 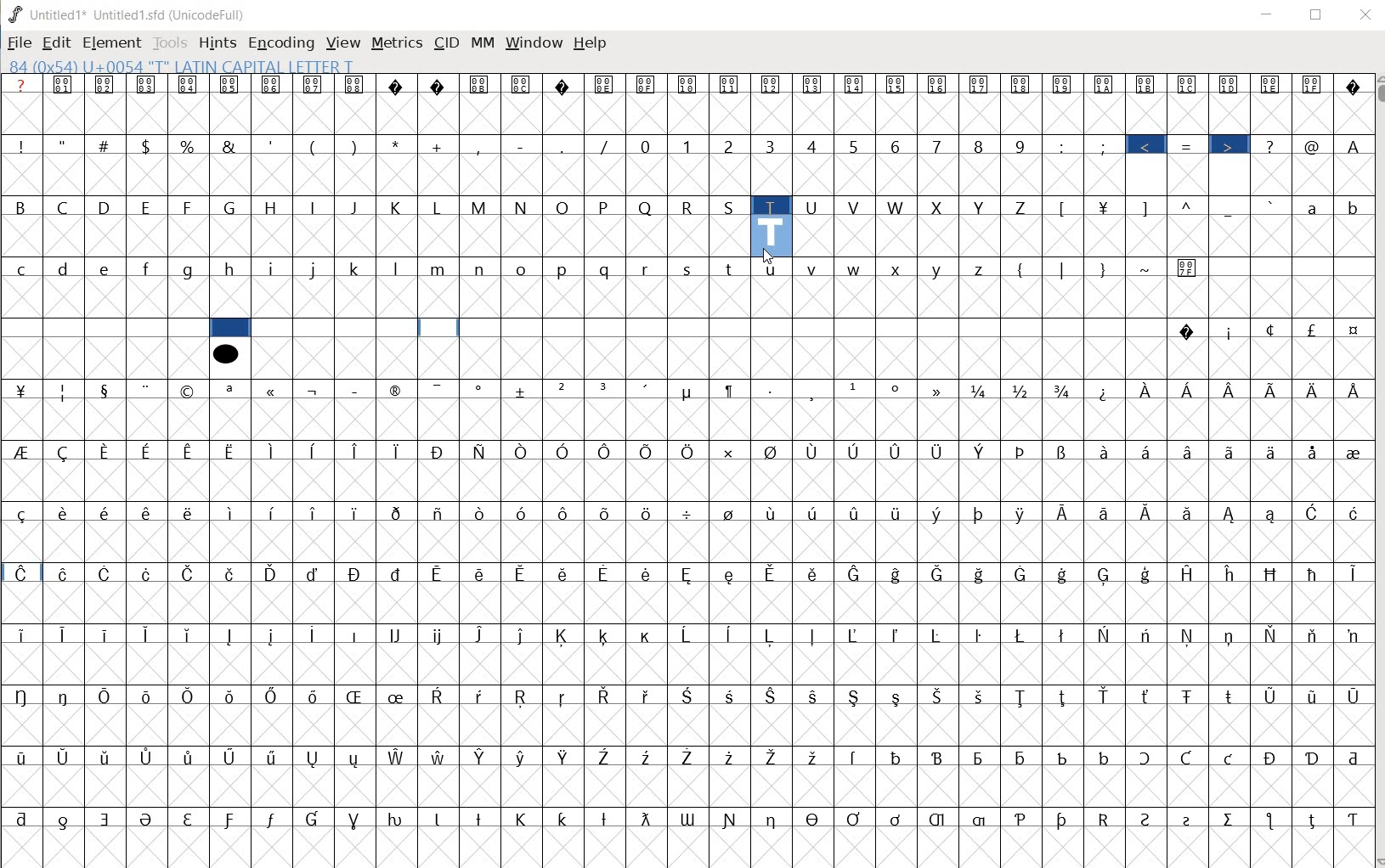 What do you see at coordinates (482, 696) in the screenshot?
I see `Symbol` at bounding box center [482, 696].